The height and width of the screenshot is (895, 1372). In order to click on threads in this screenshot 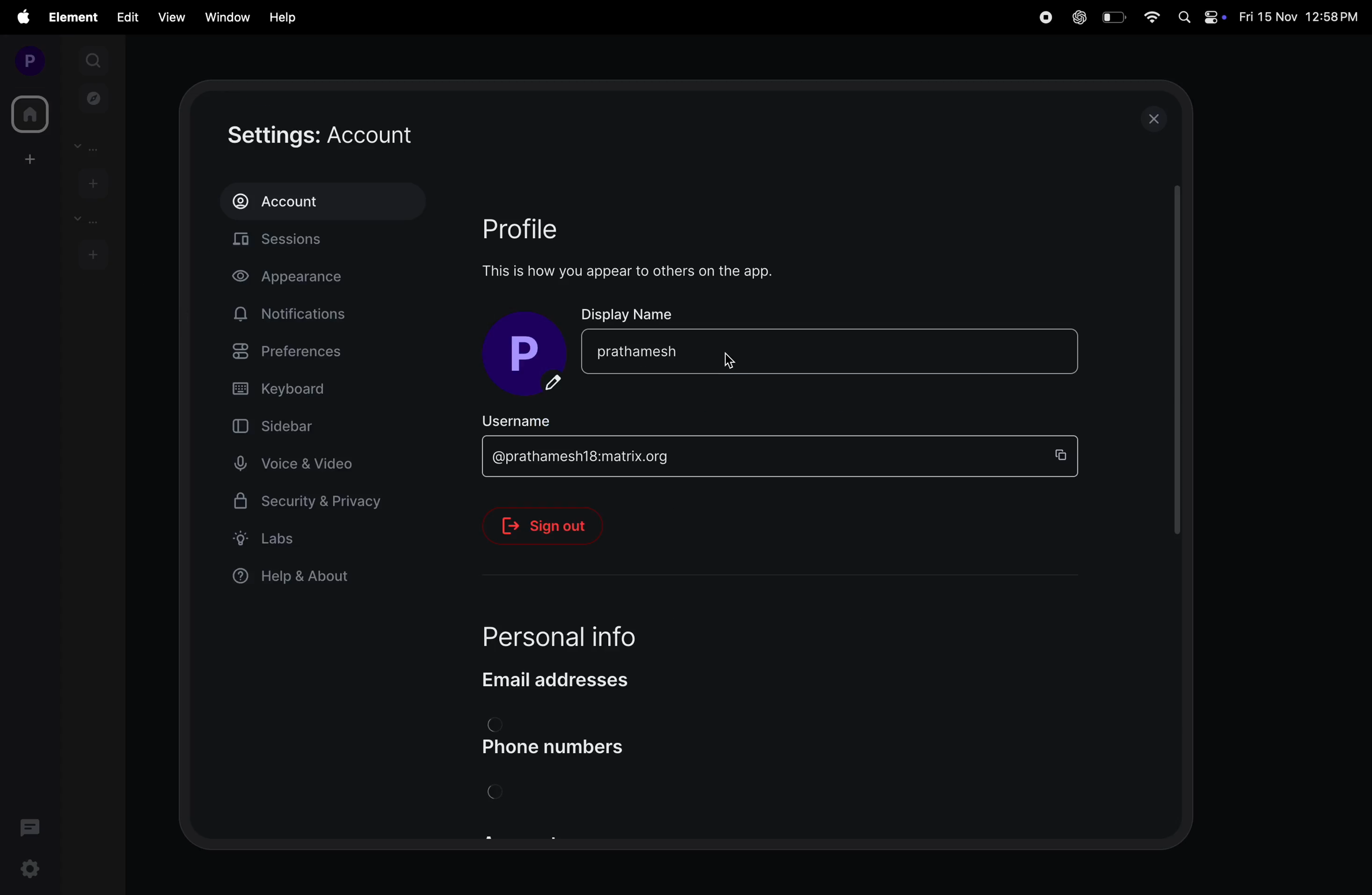, I will do `click(31, 826)`.